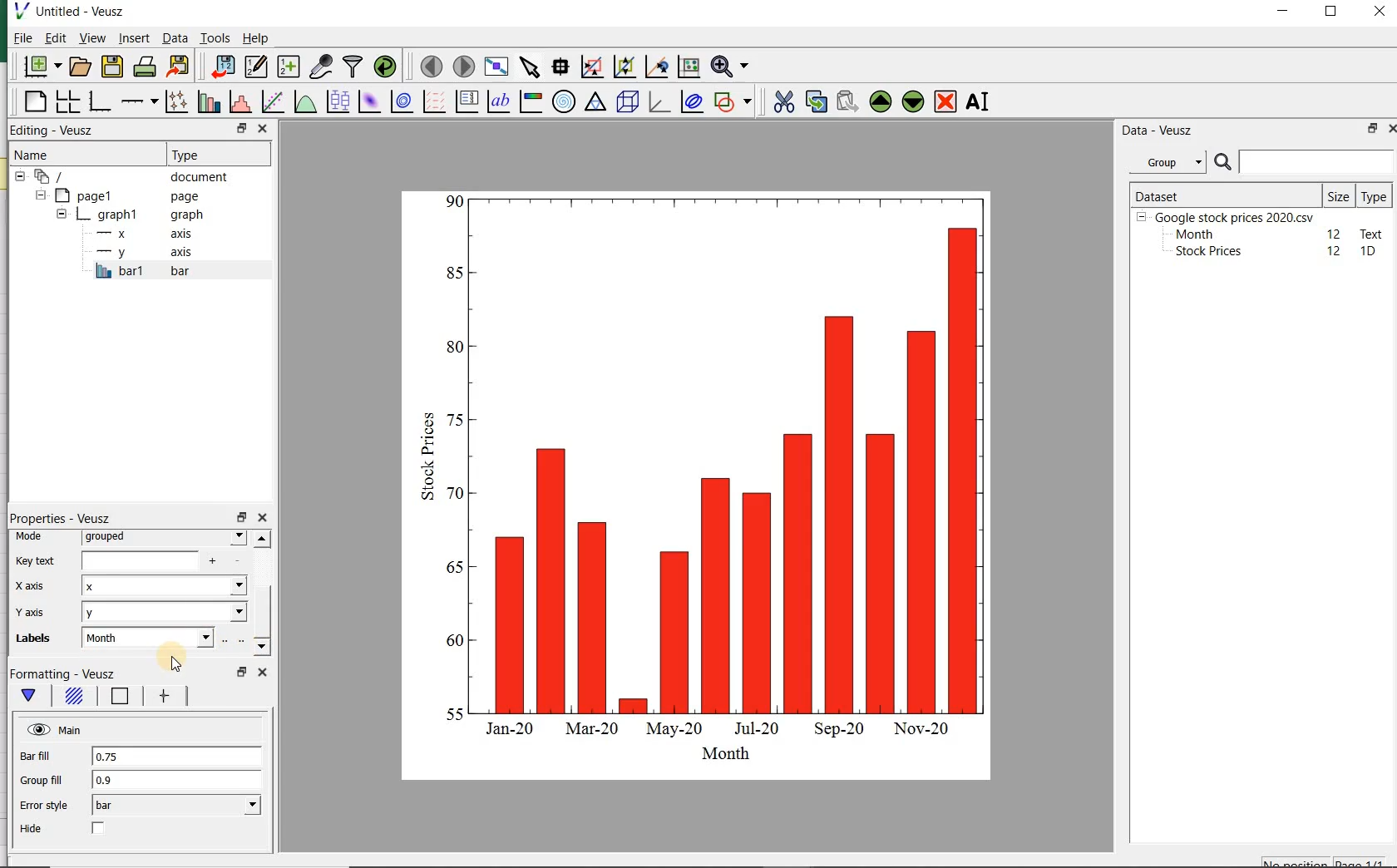 The width and height of the screenshot is (1397, 868). Describe the element at coordinates (529, 67) in the screenshot. I see `select items from the graph or scroll` at that location.